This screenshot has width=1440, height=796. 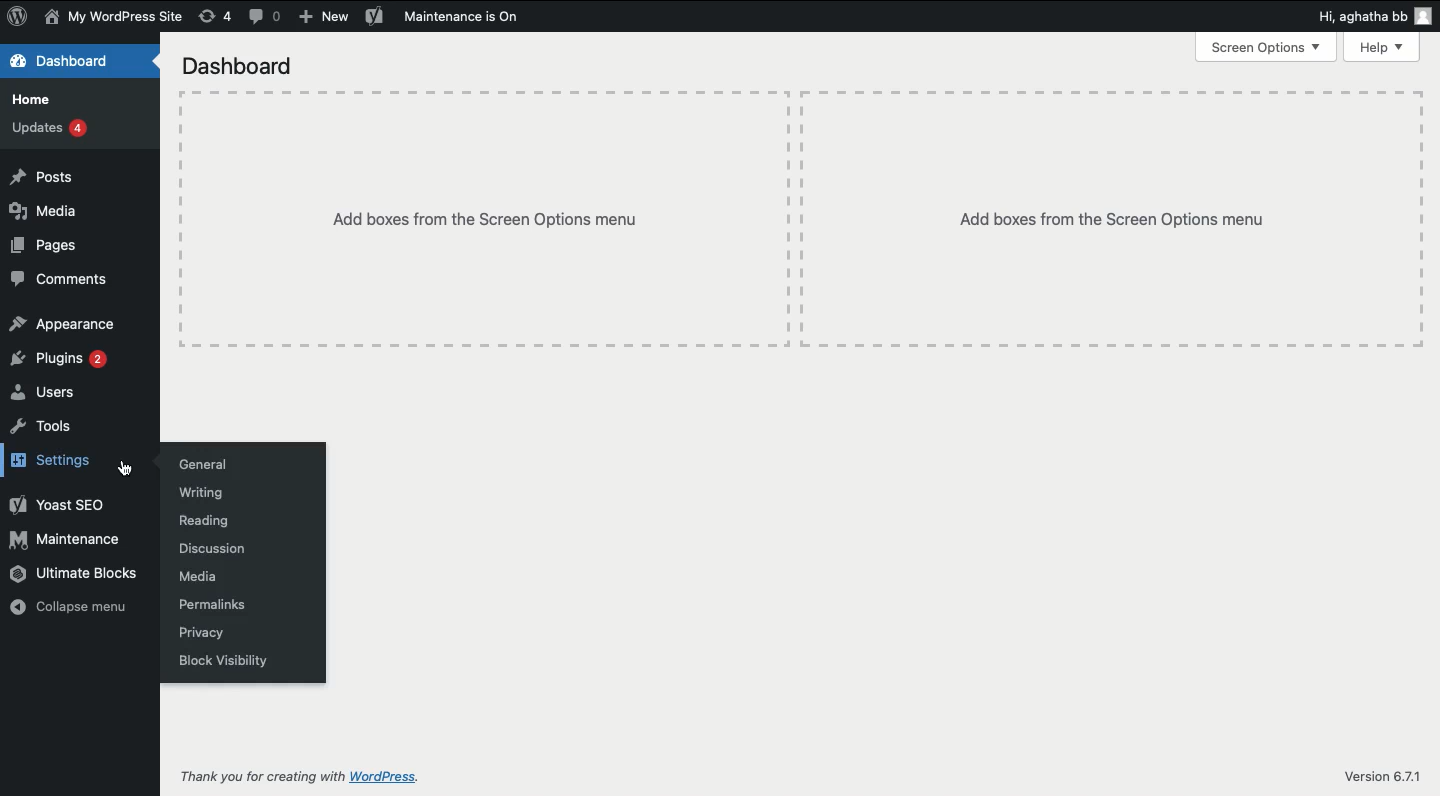 What do you see at coordinates (217, 16) in the screenshot?
I see `revisions (4)` at bounding box center [217, 16].